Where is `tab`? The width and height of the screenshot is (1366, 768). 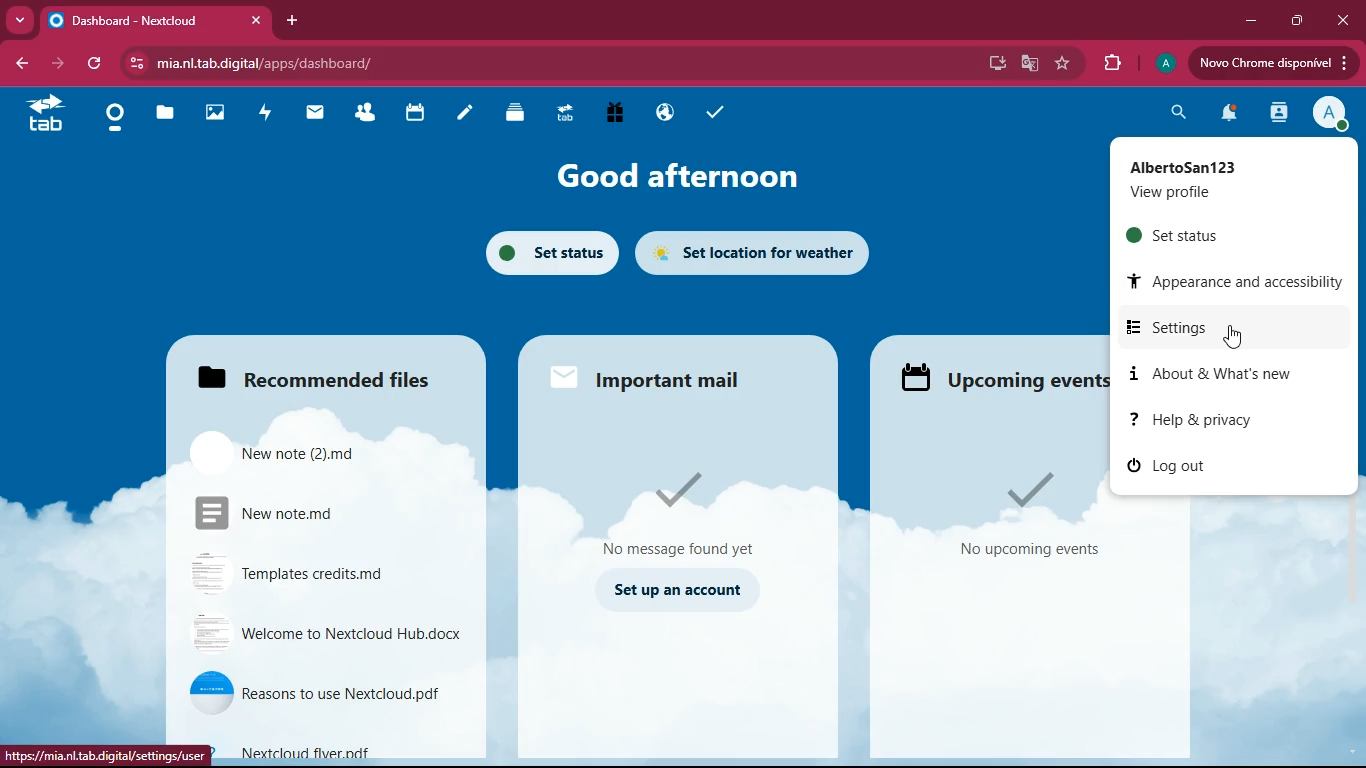
tab is located at coordinates (155, 23).